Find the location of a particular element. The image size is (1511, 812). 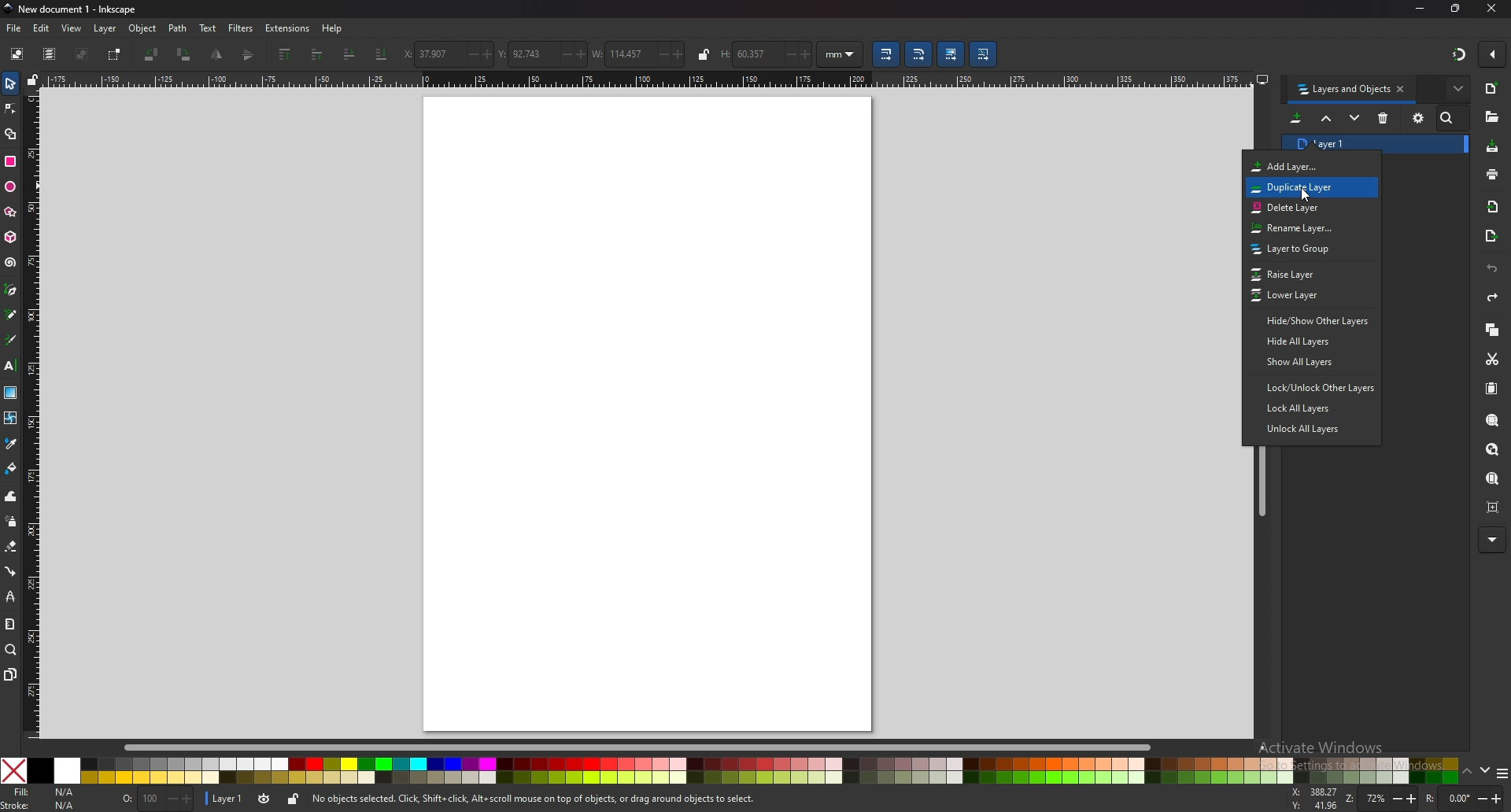

lower one step is located at coordinates (349, 54).